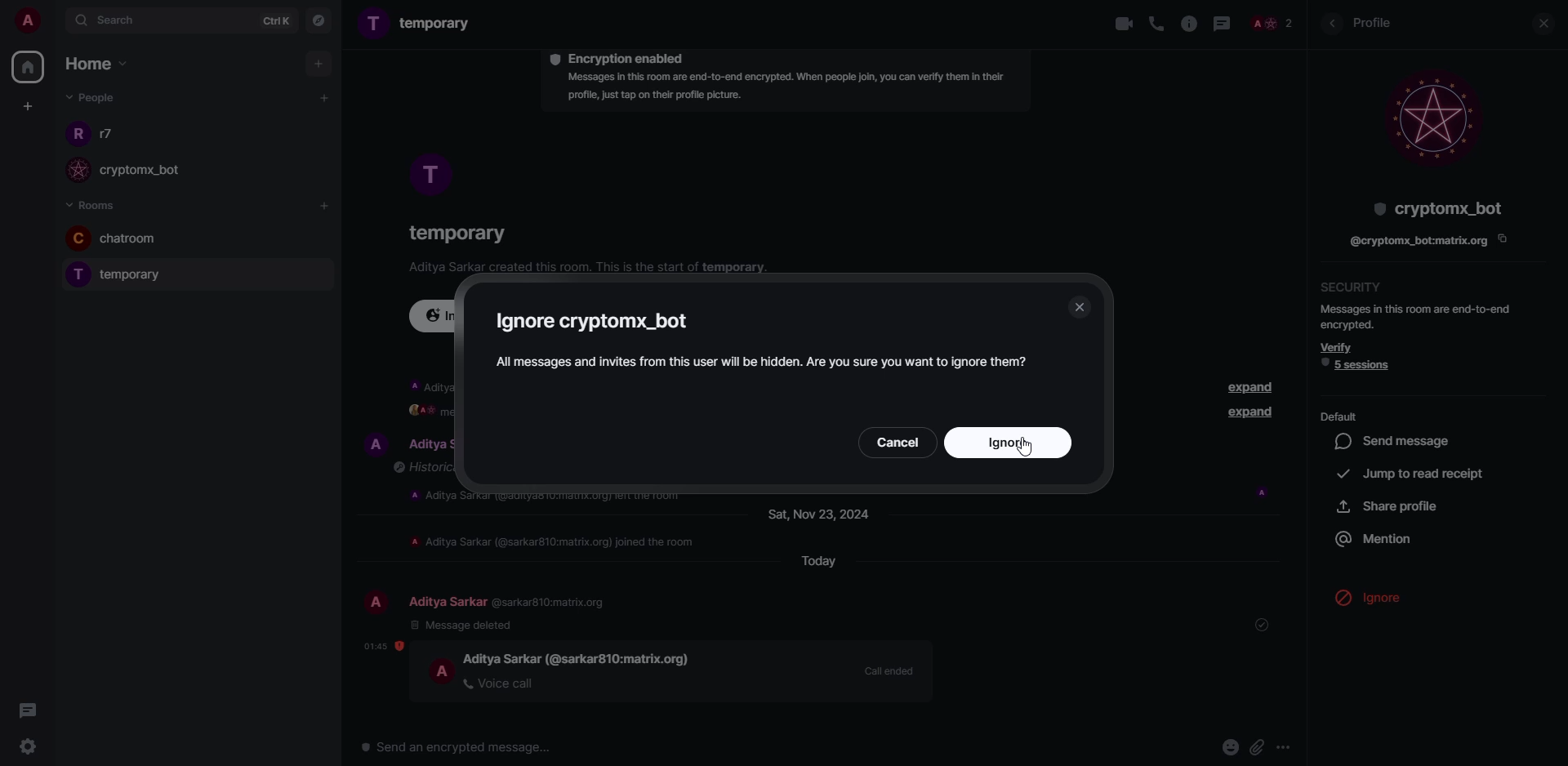  I want to click on  Send an encrypted message..., so click(457, 748).